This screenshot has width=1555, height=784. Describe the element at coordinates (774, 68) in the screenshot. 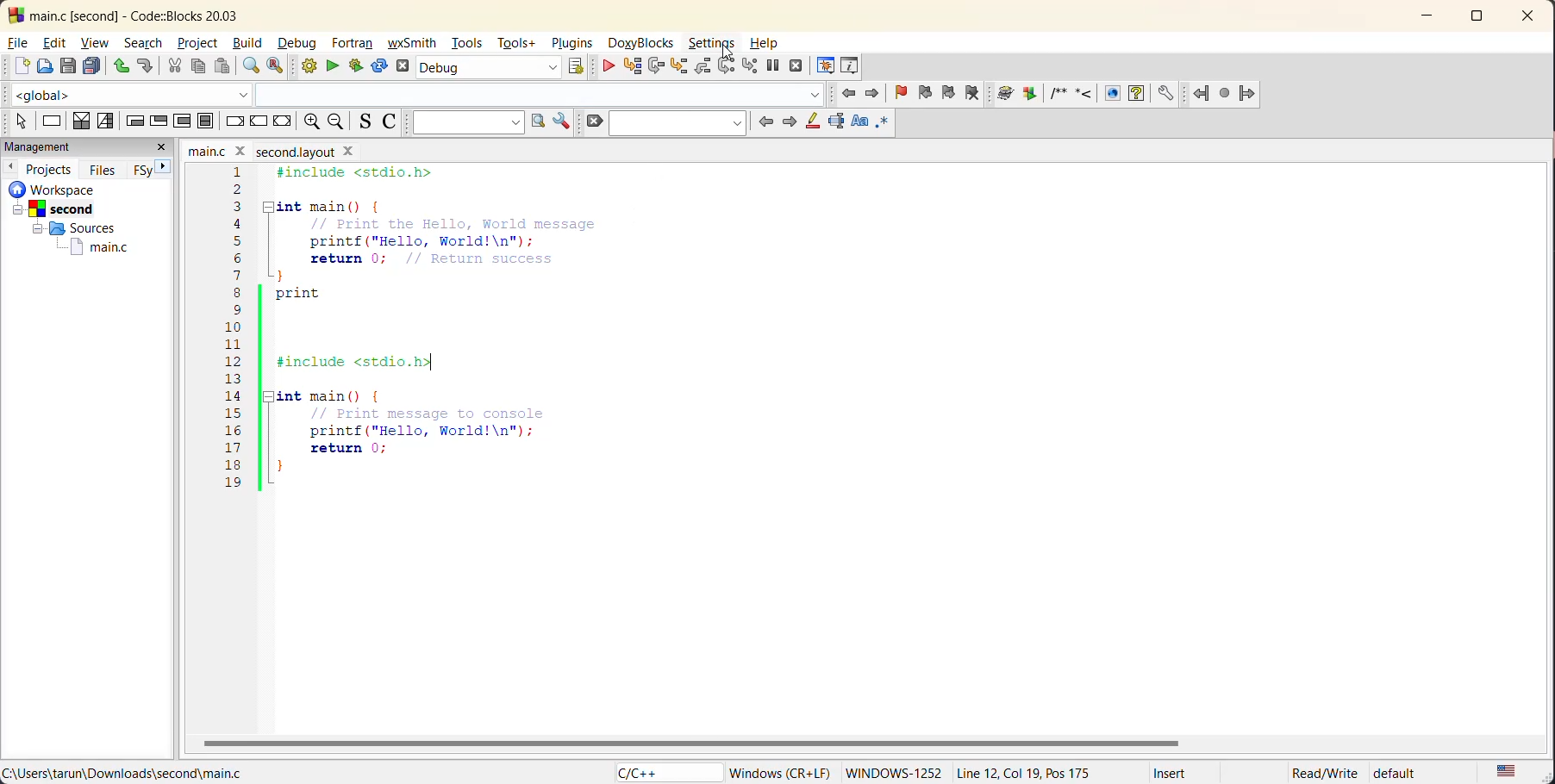

I see `break debugger` at that location.